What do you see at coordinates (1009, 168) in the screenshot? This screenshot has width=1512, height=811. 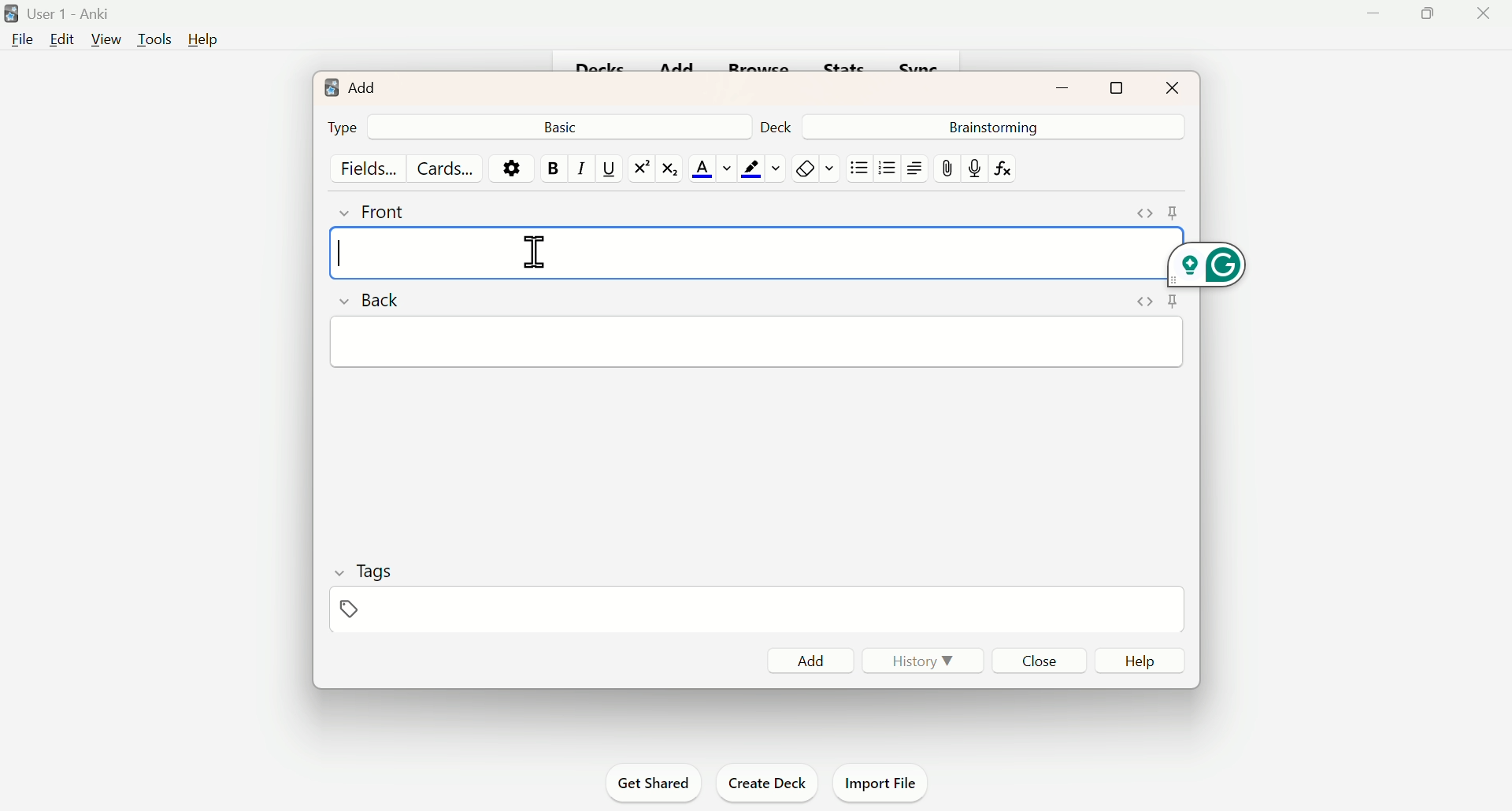 I see `fx` at bounding box center [1009, 168].